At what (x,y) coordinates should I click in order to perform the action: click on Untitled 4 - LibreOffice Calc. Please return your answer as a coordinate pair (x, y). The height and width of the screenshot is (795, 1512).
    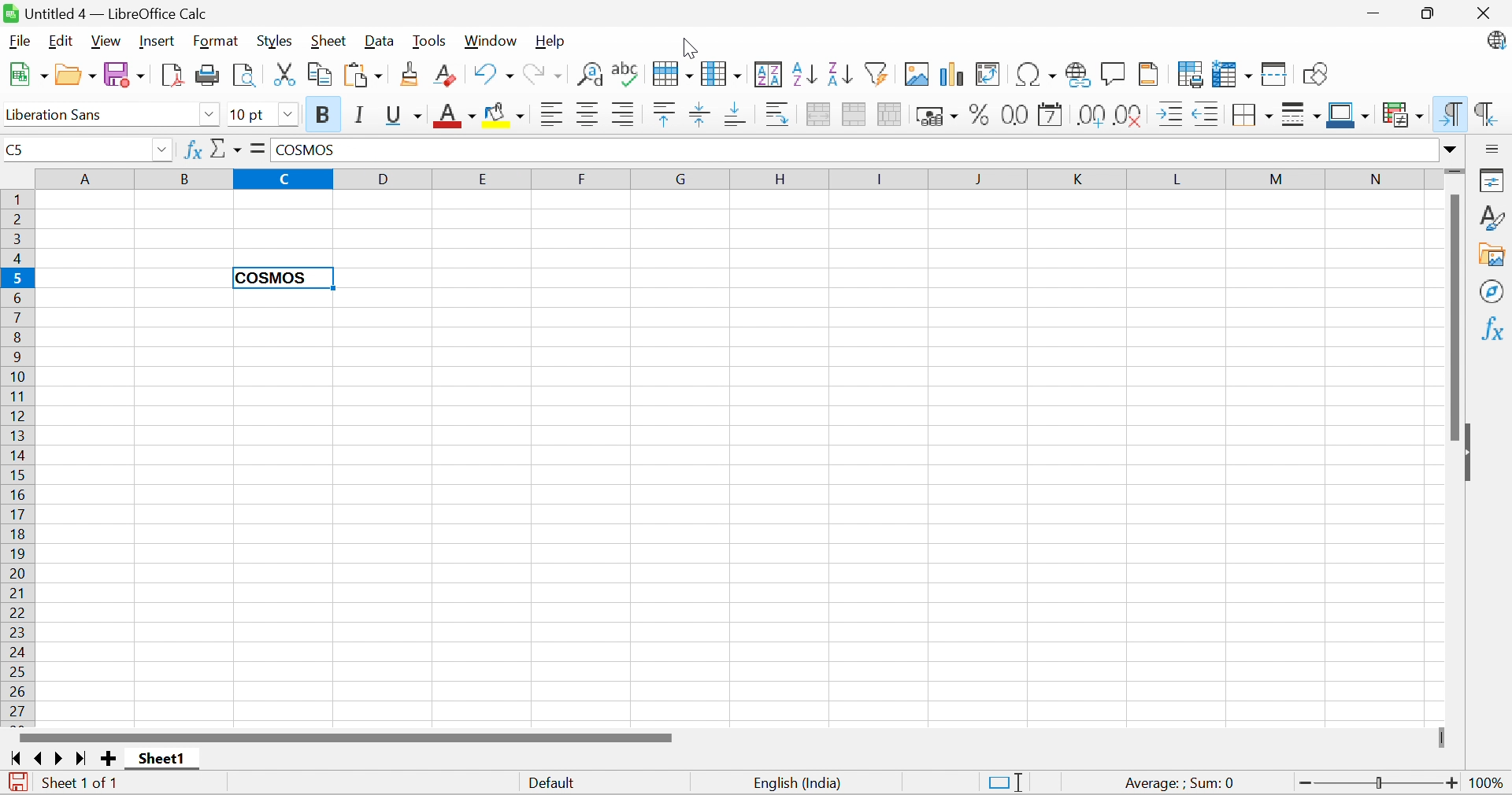
    Looking at the image, I should click on (115, 13).